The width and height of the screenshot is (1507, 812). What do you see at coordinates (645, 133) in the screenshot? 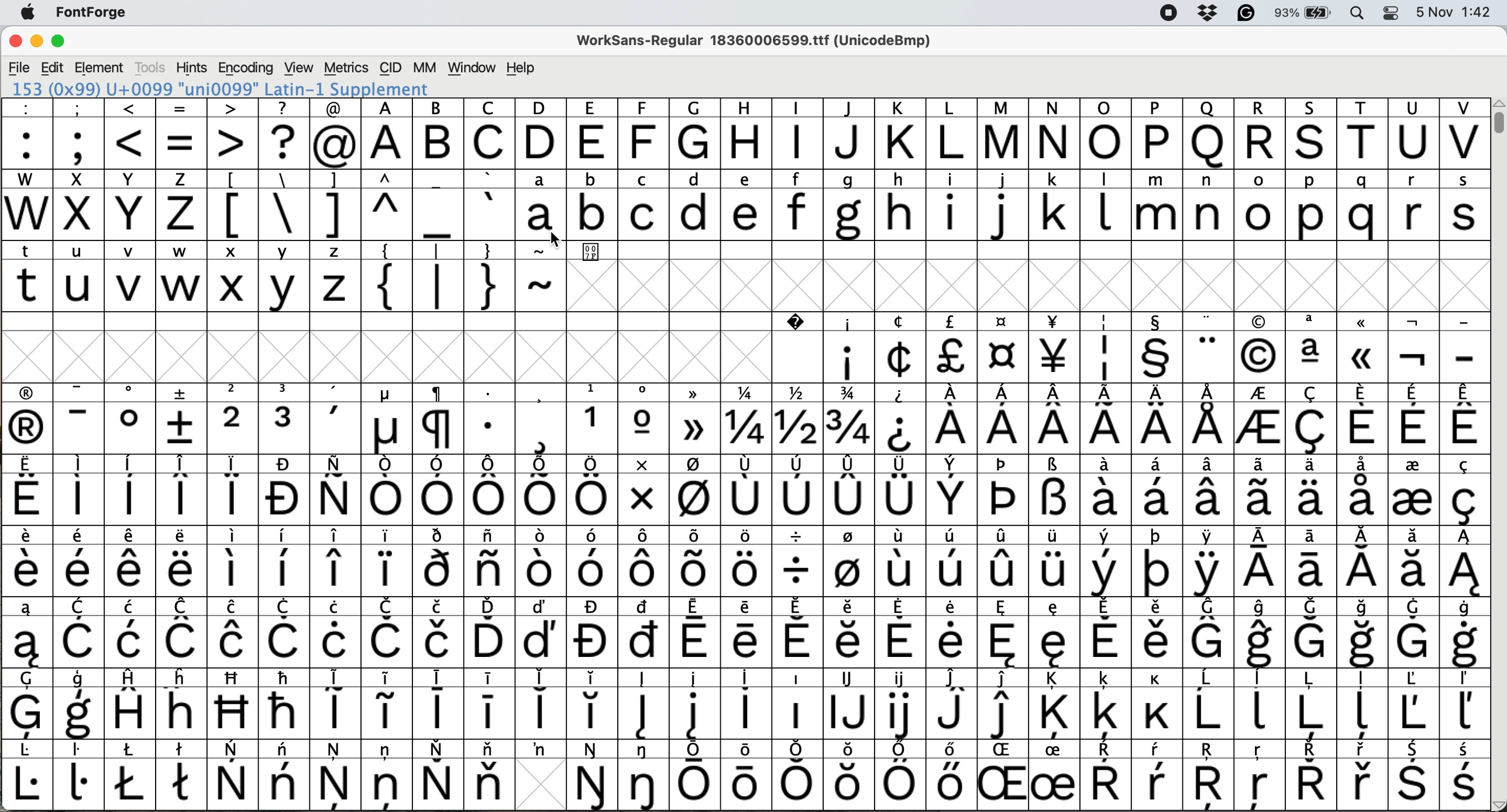
I see `` at bounding box center [645, 133].